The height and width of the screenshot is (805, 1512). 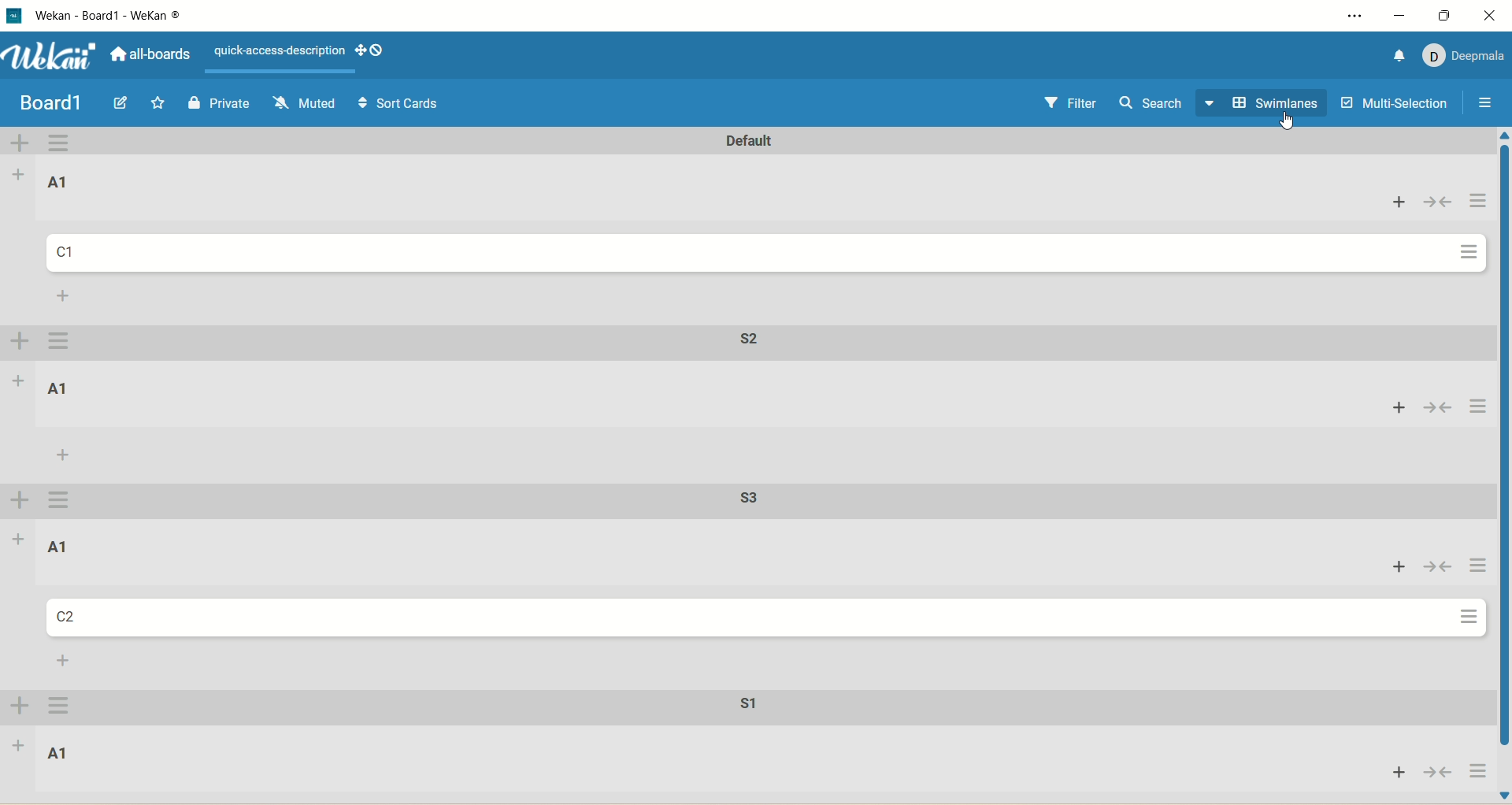 What do you see at coordinates (1480, 204) in the screenshot?
I see `actions` at bounding box center [1480, 204].